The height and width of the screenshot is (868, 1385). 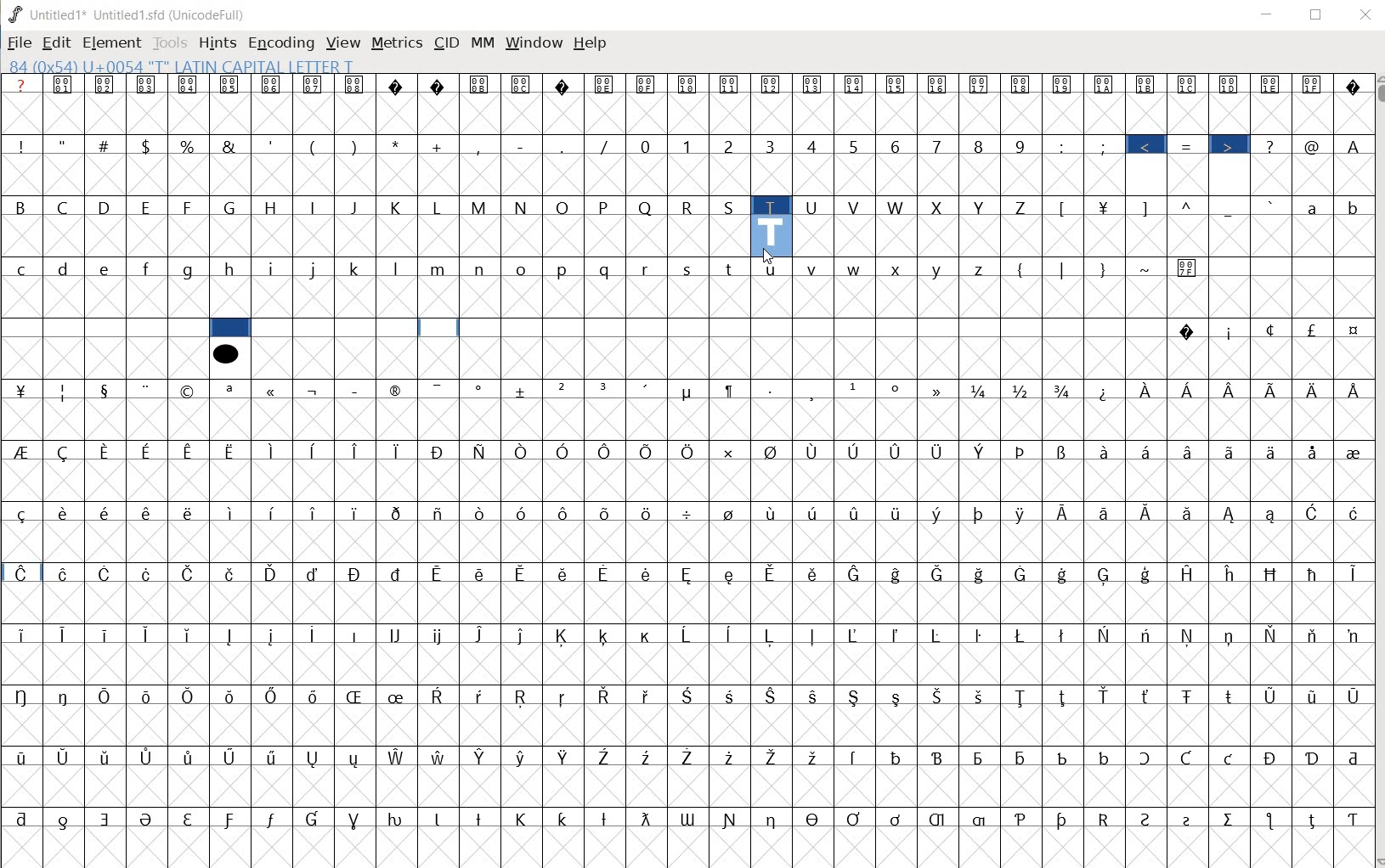 What do you see at coordinates (439, 146) in the screenshot?
I see `+` at bounding box center [439, 146].